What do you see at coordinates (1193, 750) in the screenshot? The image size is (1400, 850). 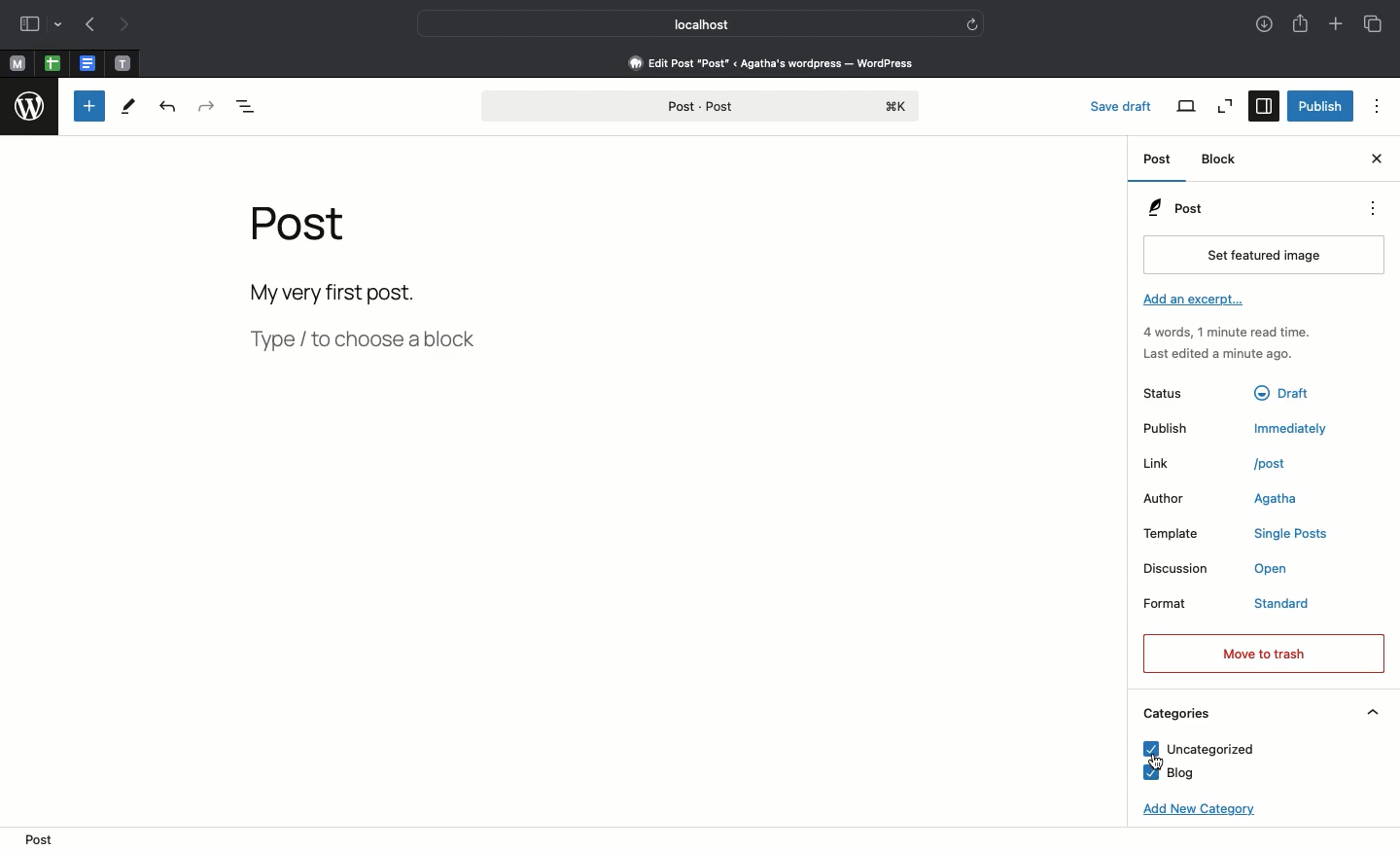 I see `Uncategorized` at bounding box center [1193, 750].